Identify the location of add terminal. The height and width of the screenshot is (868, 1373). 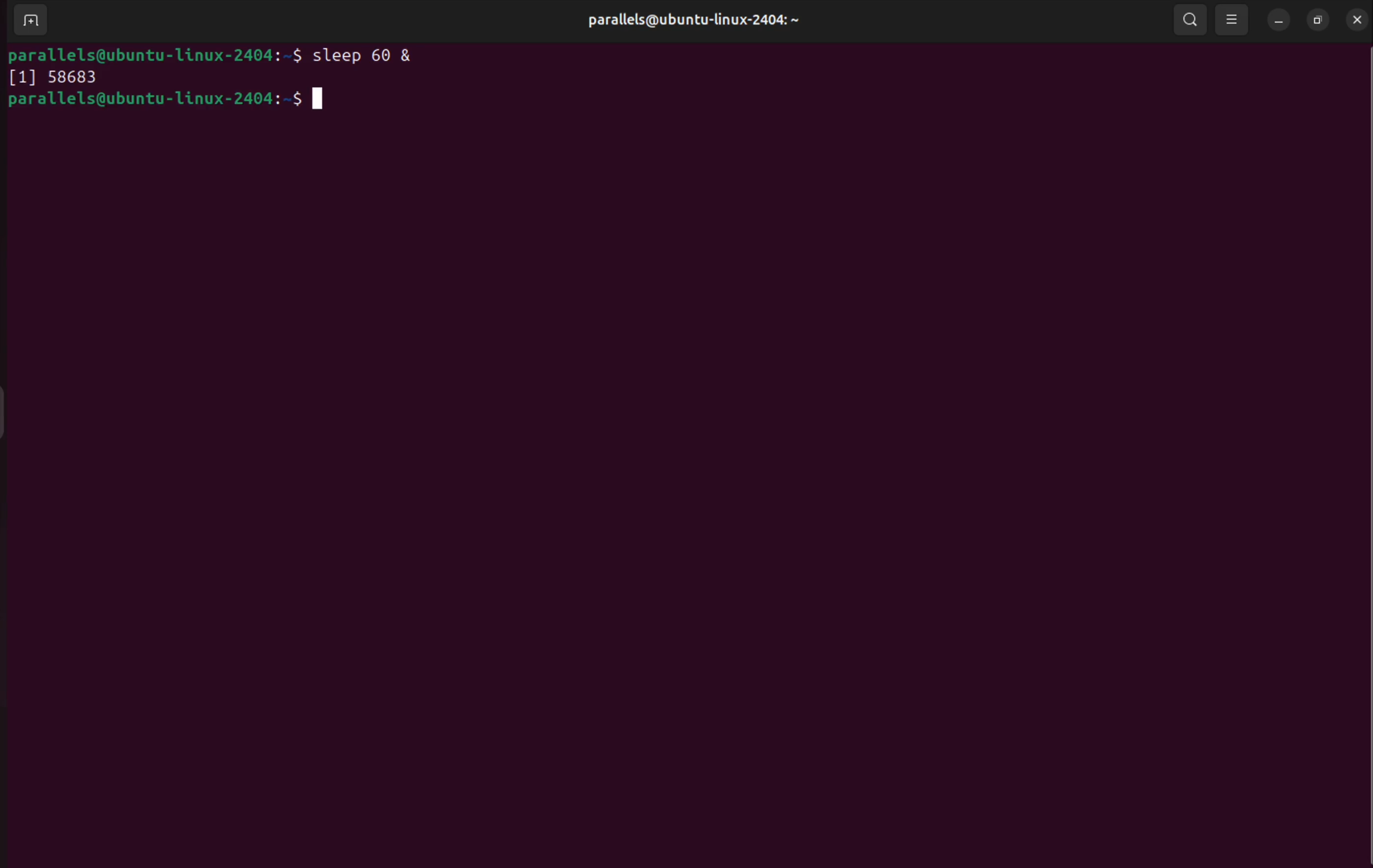
(28, 22).